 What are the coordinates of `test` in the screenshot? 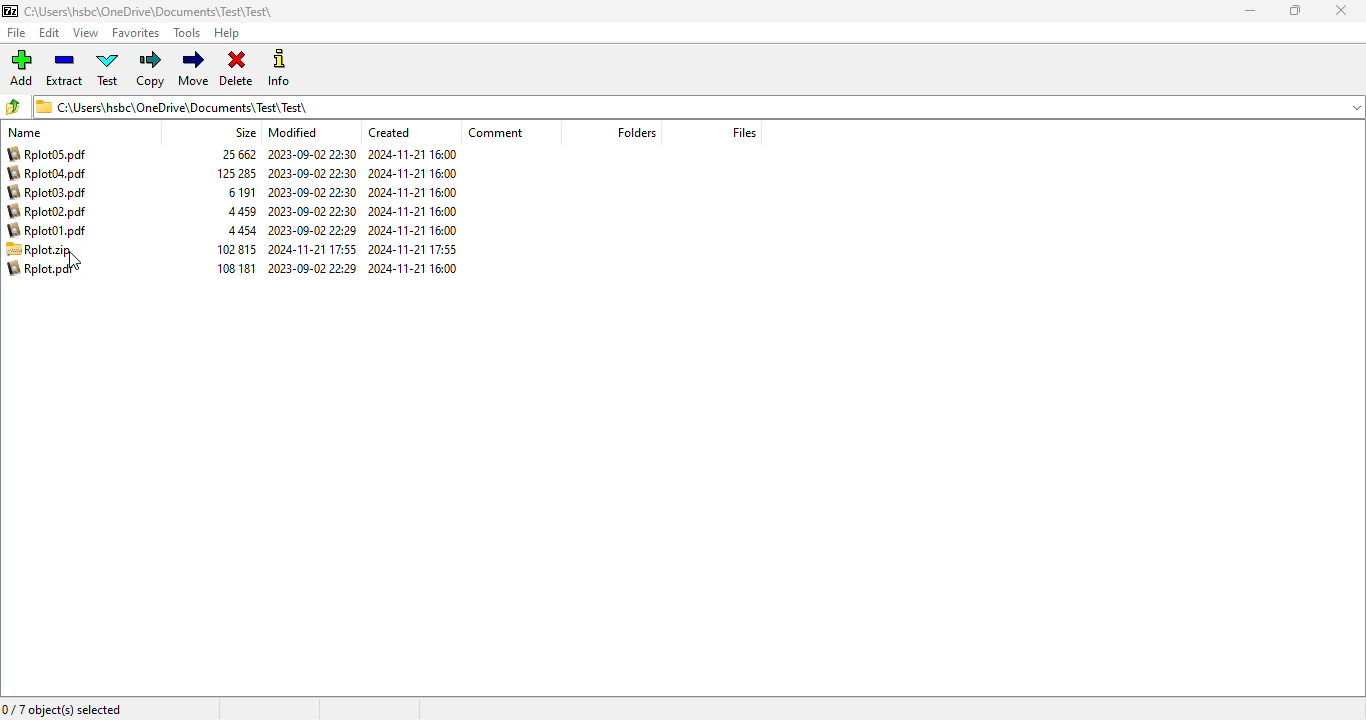 It's located at (108, 68).